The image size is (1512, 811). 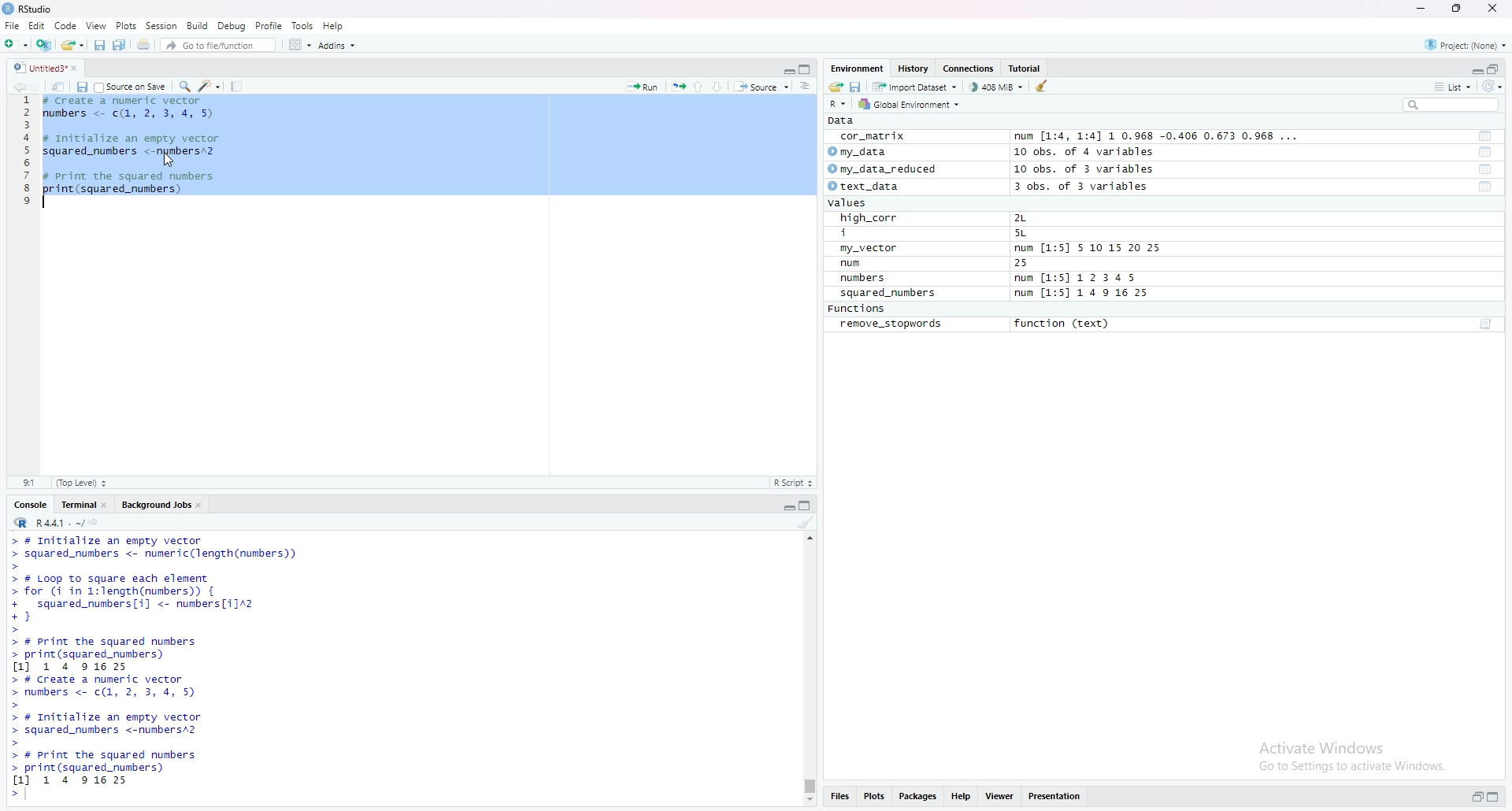 What do you see at coordinates (19, 85) in the screenshot?
I see `move backward` at bounding box center [19, 85].